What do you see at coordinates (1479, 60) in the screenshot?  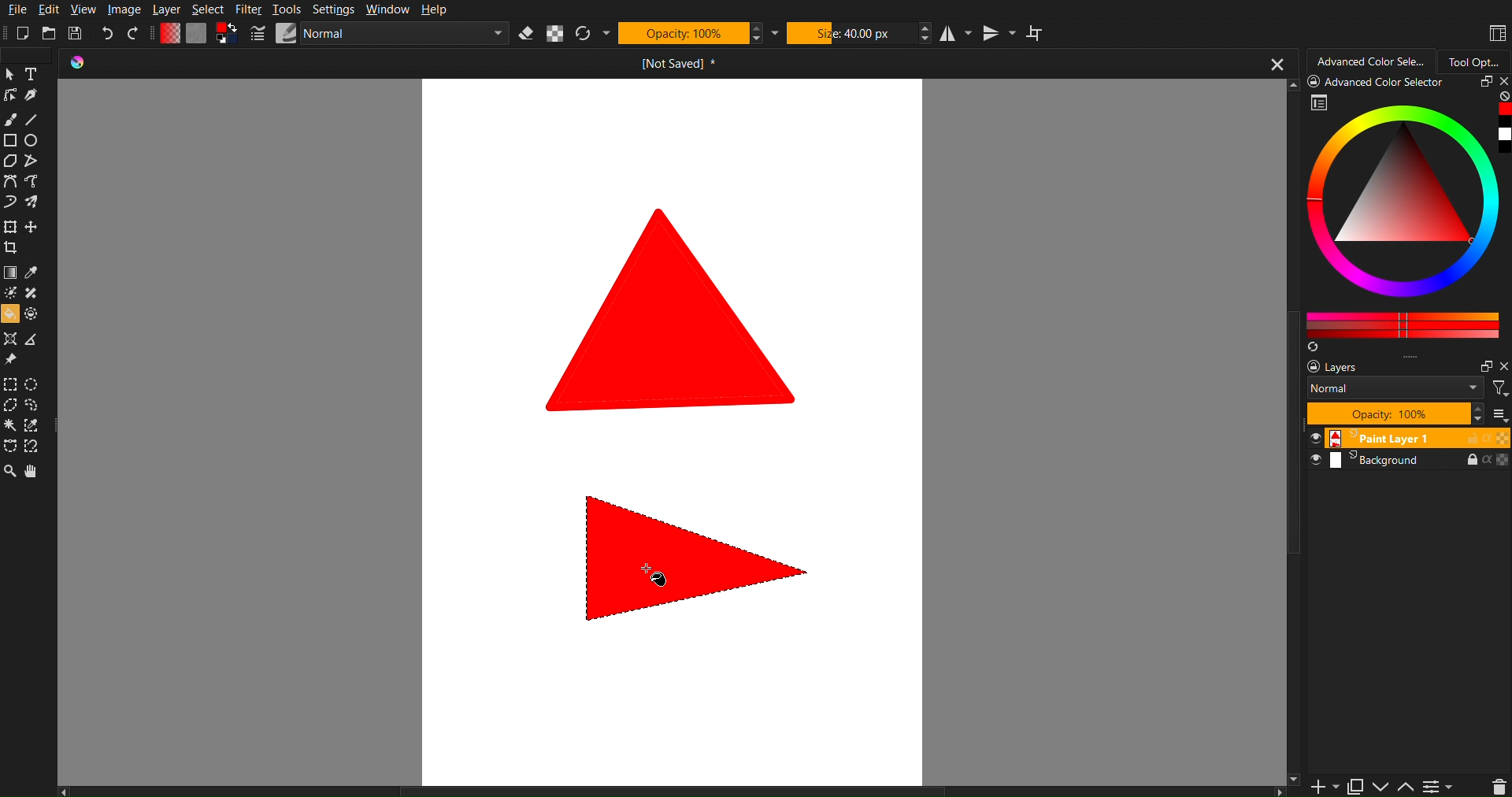 I see `Tool Options` at bounding box center [1479, 60].